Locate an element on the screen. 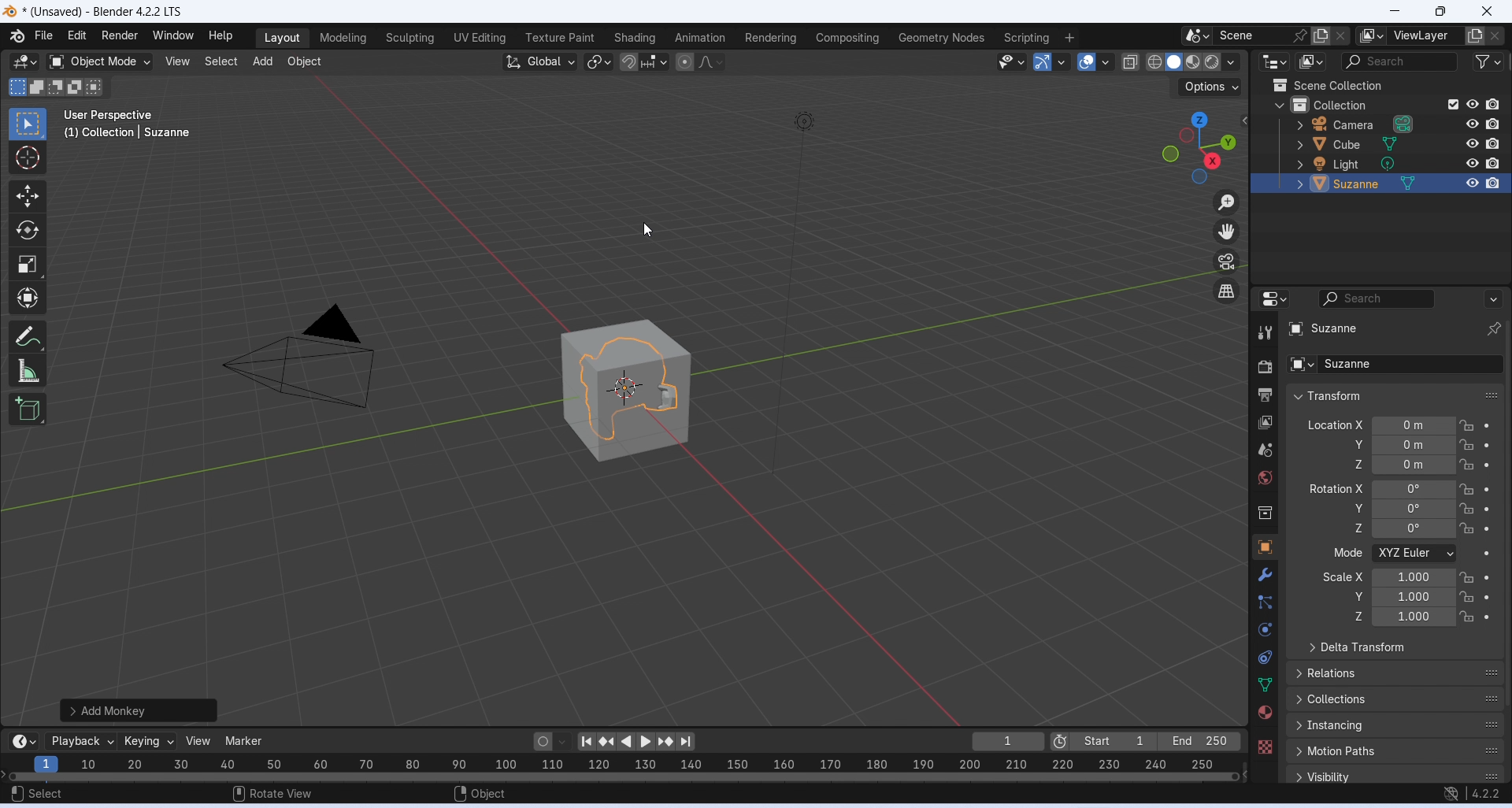 Image resolution: width=1512 pixels, height=808 pixels. instancing is located at coordinates (1396, 725).